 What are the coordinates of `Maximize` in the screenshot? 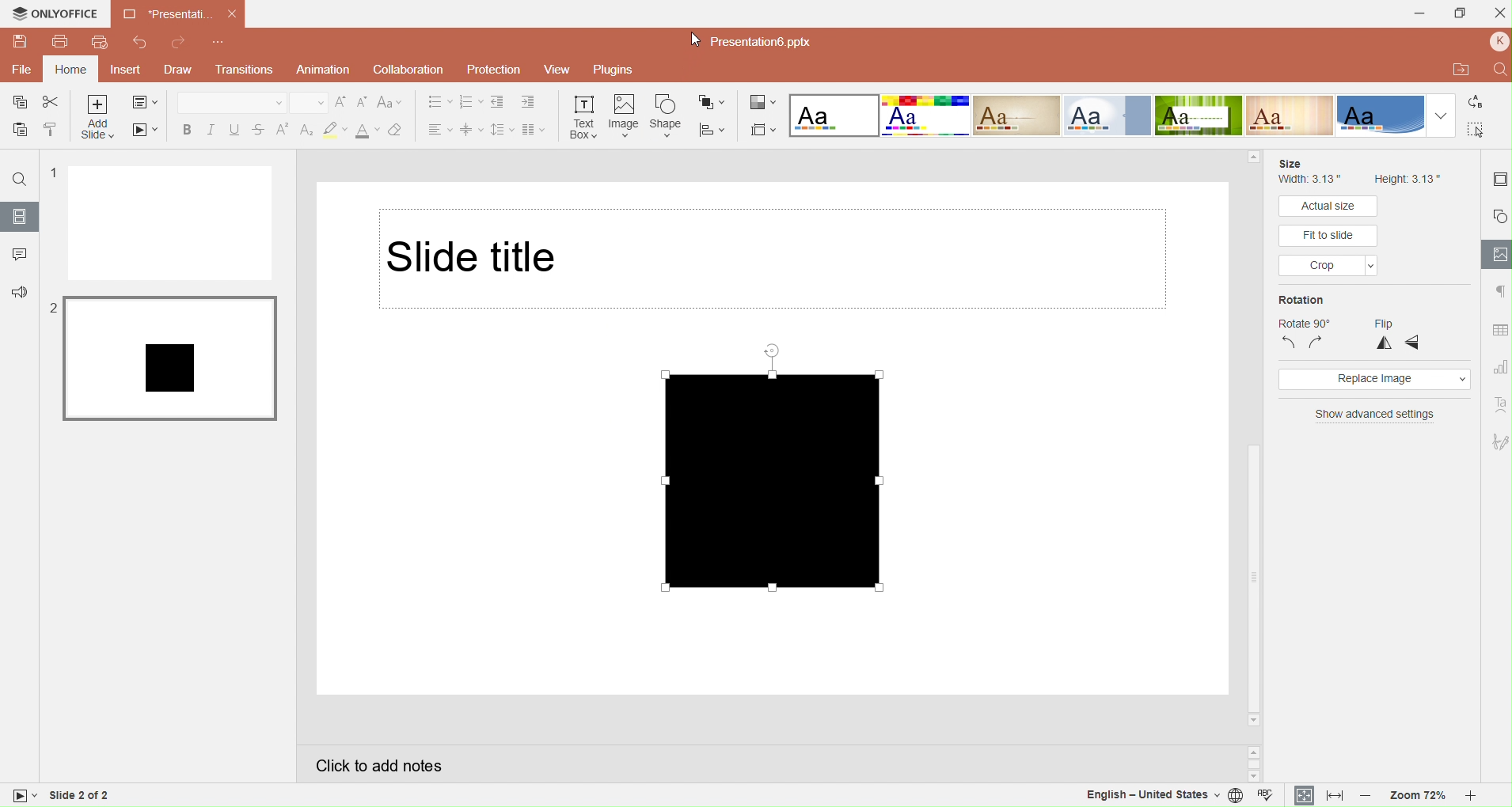 It's located at (1459, 15).